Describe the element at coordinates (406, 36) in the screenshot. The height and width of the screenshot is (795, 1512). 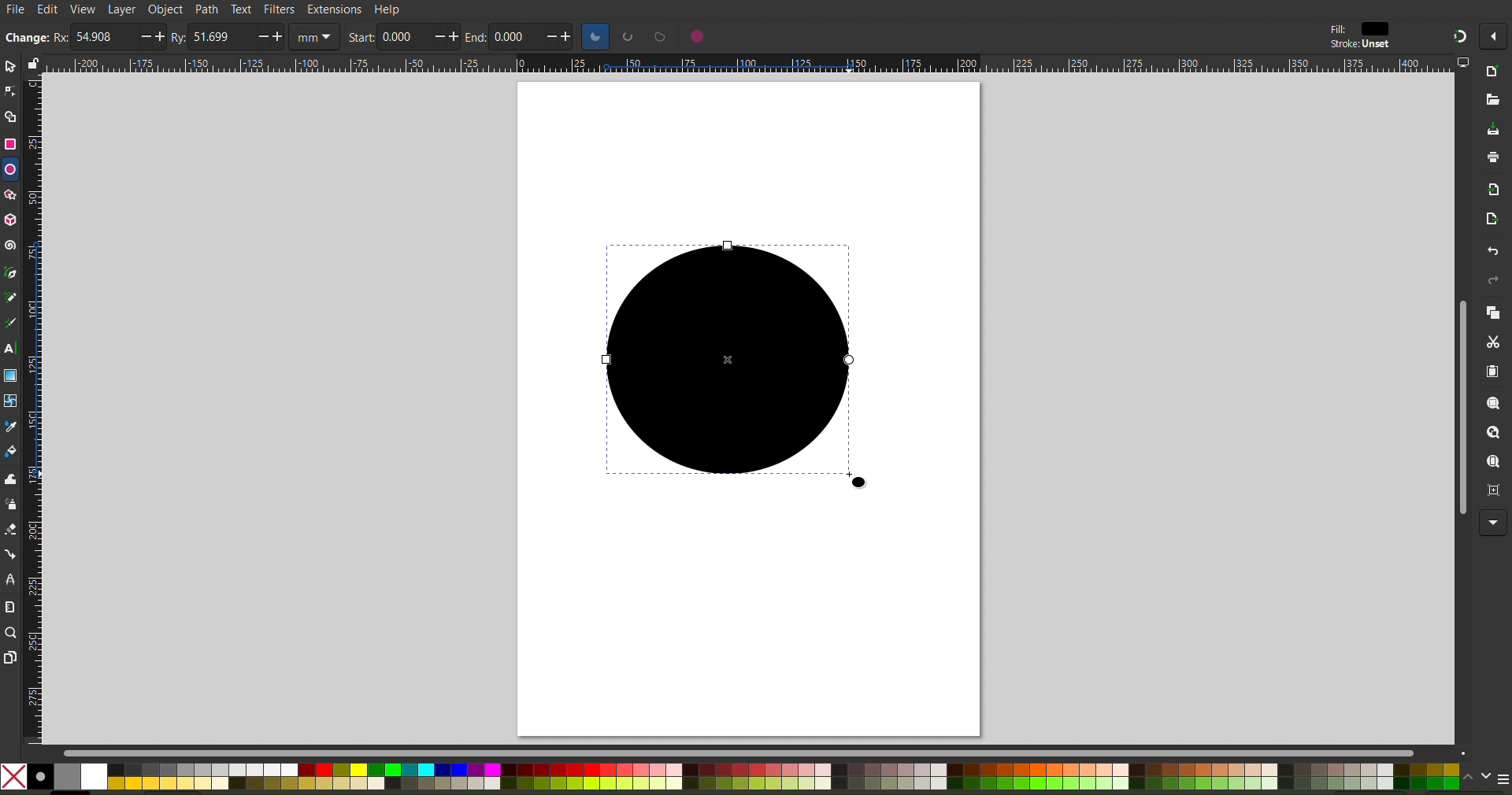
I see `0` at that location.